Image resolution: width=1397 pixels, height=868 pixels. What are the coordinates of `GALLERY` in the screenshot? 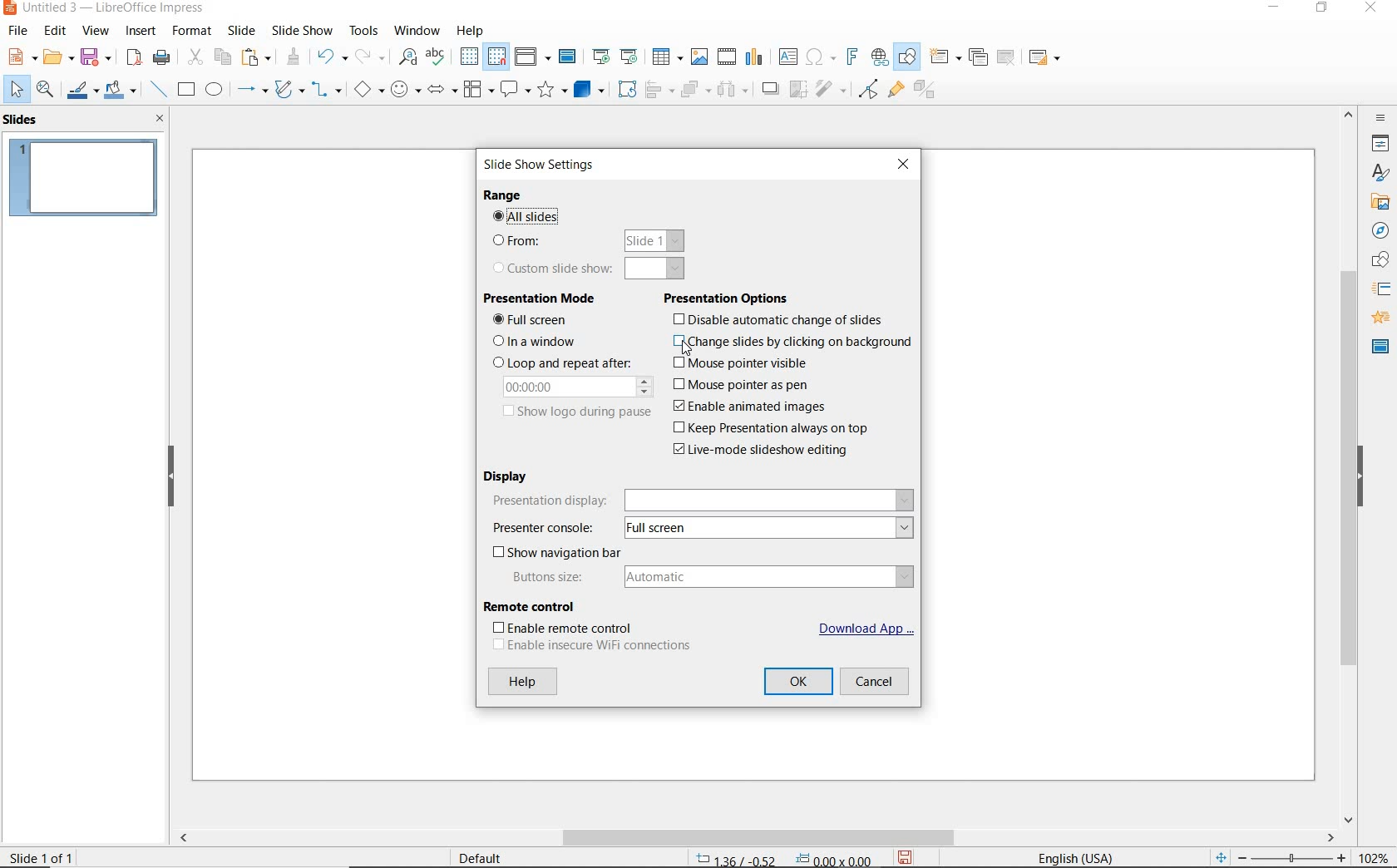 It's located at (1380, 201).